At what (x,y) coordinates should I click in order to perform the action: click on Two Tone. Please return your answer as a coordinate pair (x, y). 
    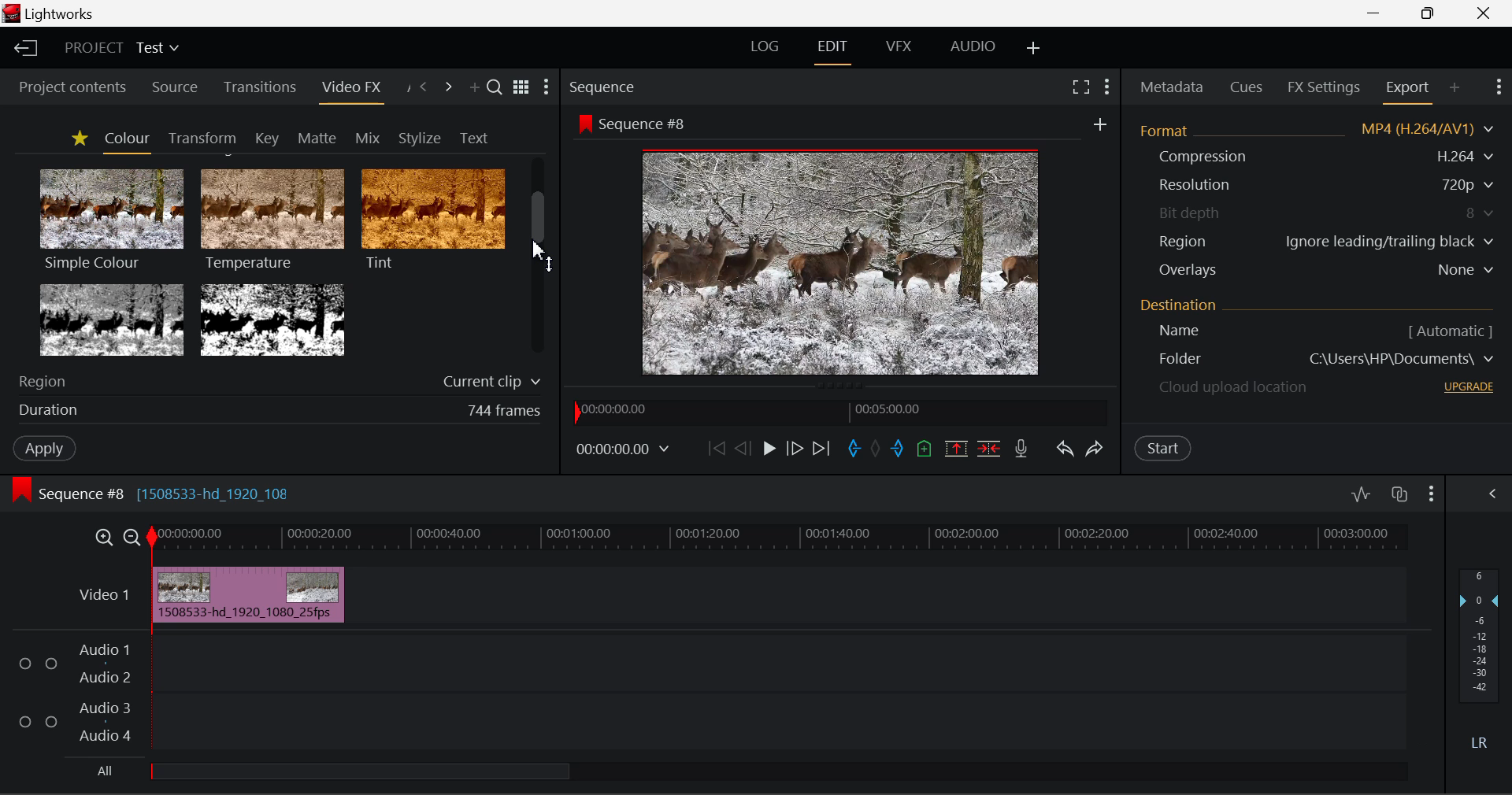
    Looking at the image, I should click on (270, 319).